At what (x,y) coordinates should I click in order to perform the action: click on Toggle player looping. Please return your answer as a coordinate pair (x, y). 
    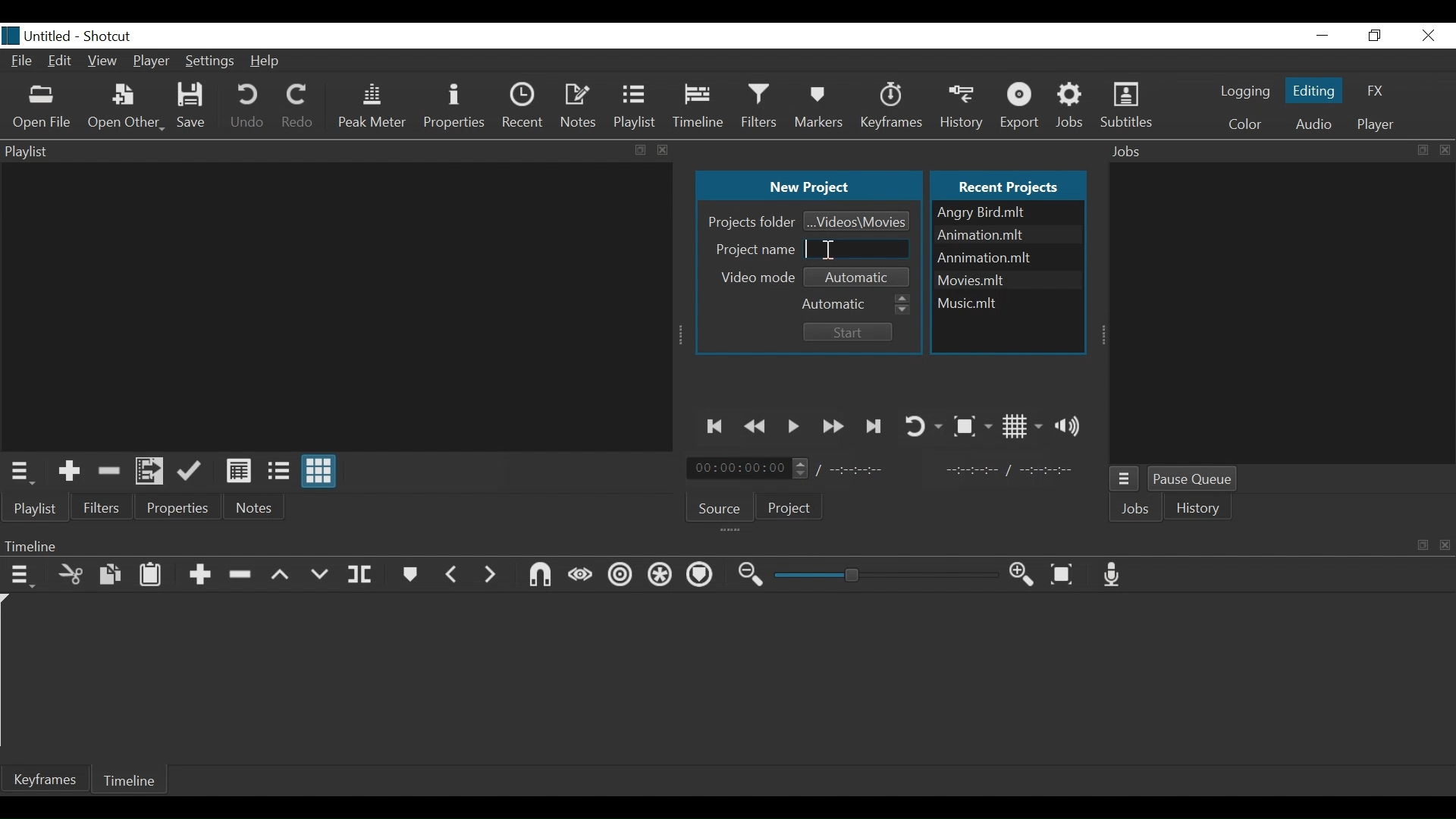
    Looking at the image, I should click on (922, 425).